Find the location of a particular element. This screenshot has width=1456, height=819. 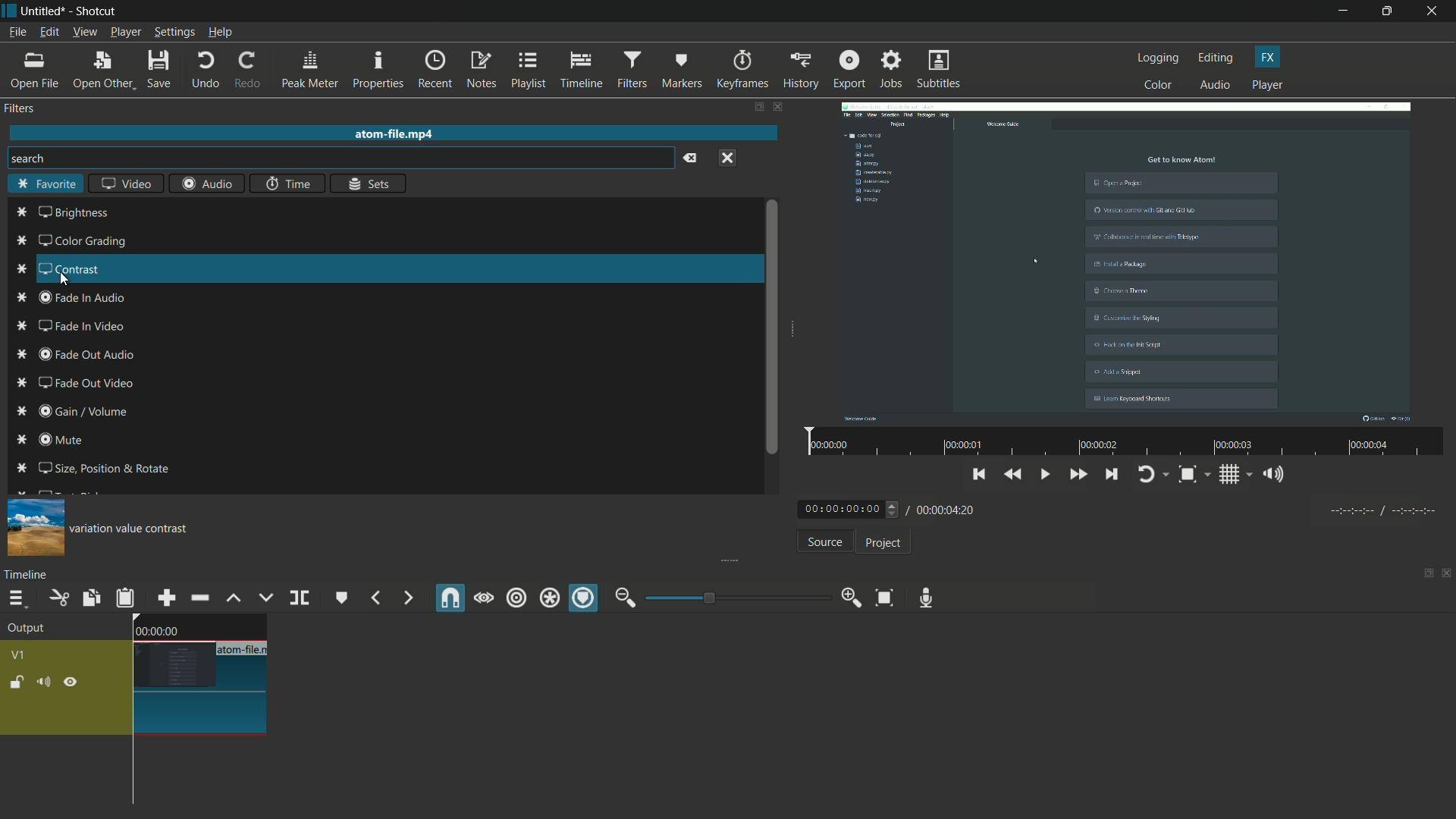

timeline menu is located at coordinates (17, 600).